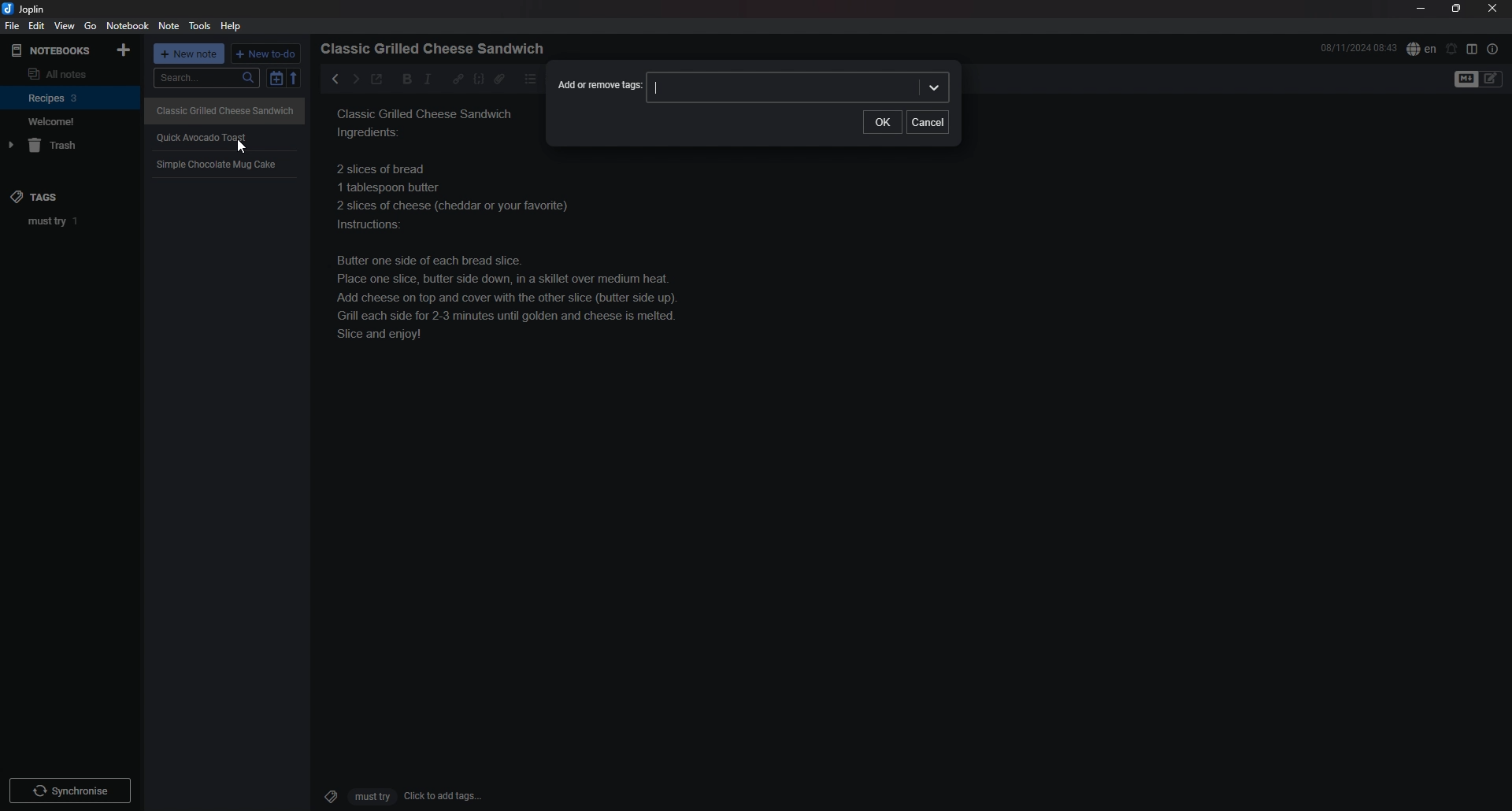 Image resolution: width=1512 pixels, height=811 pixels. I want to click on cancel, so click(928, 121).